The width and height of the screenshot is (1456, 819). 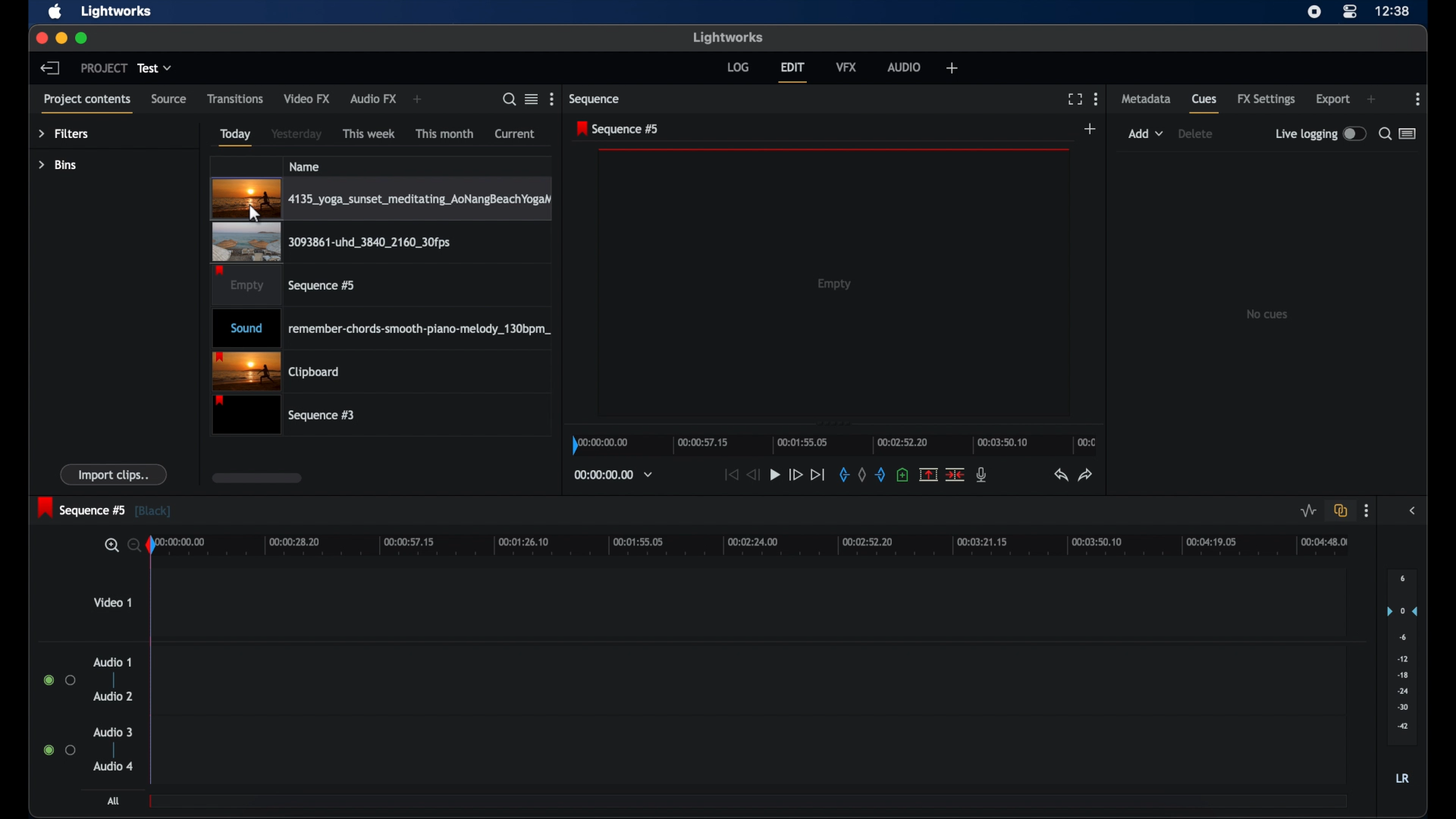 I want to click on audio 1, so click(x=111, y=663).